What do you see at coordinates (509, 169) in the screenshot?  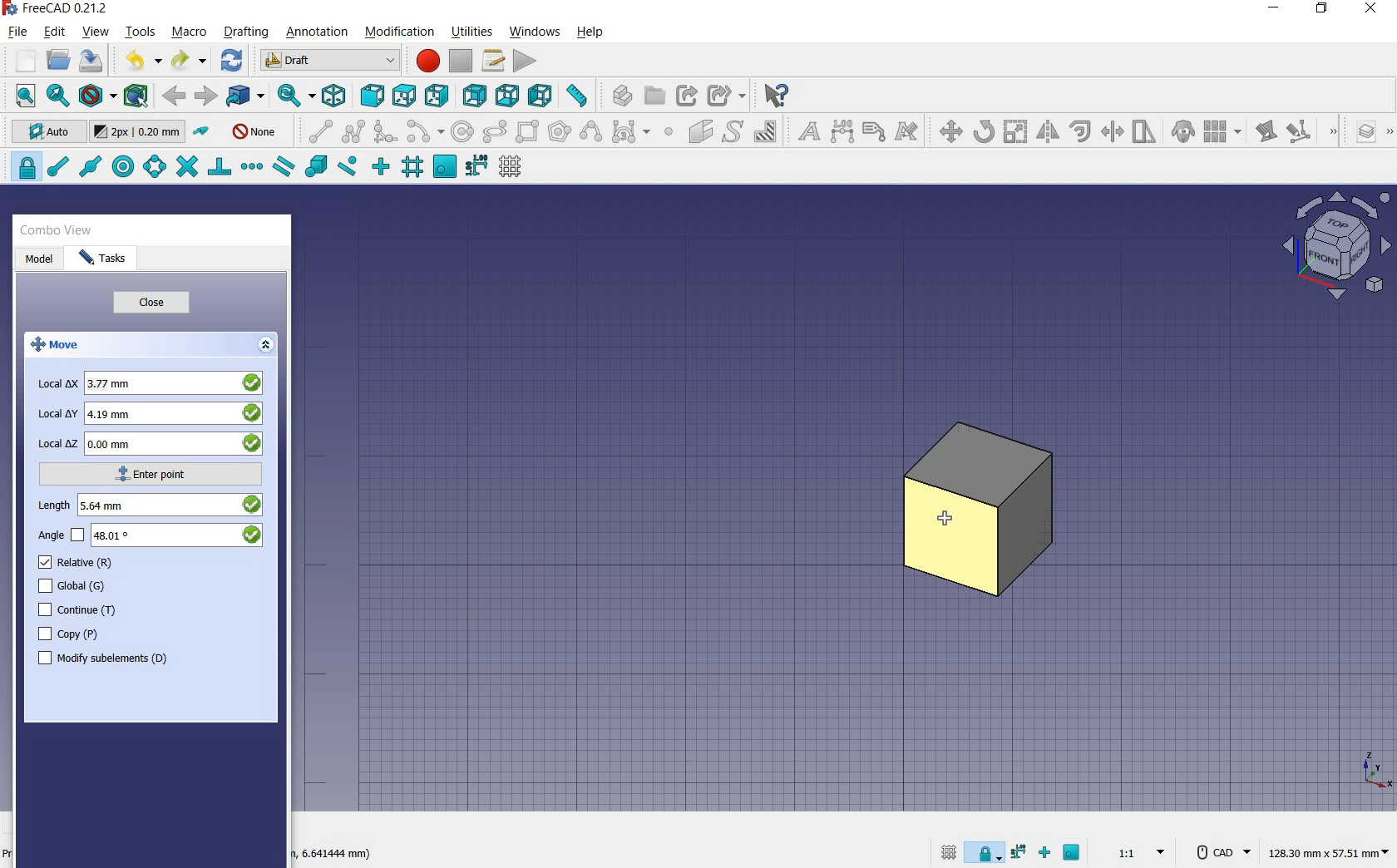 I see `toggle grid` at bounding box center [509, 169].